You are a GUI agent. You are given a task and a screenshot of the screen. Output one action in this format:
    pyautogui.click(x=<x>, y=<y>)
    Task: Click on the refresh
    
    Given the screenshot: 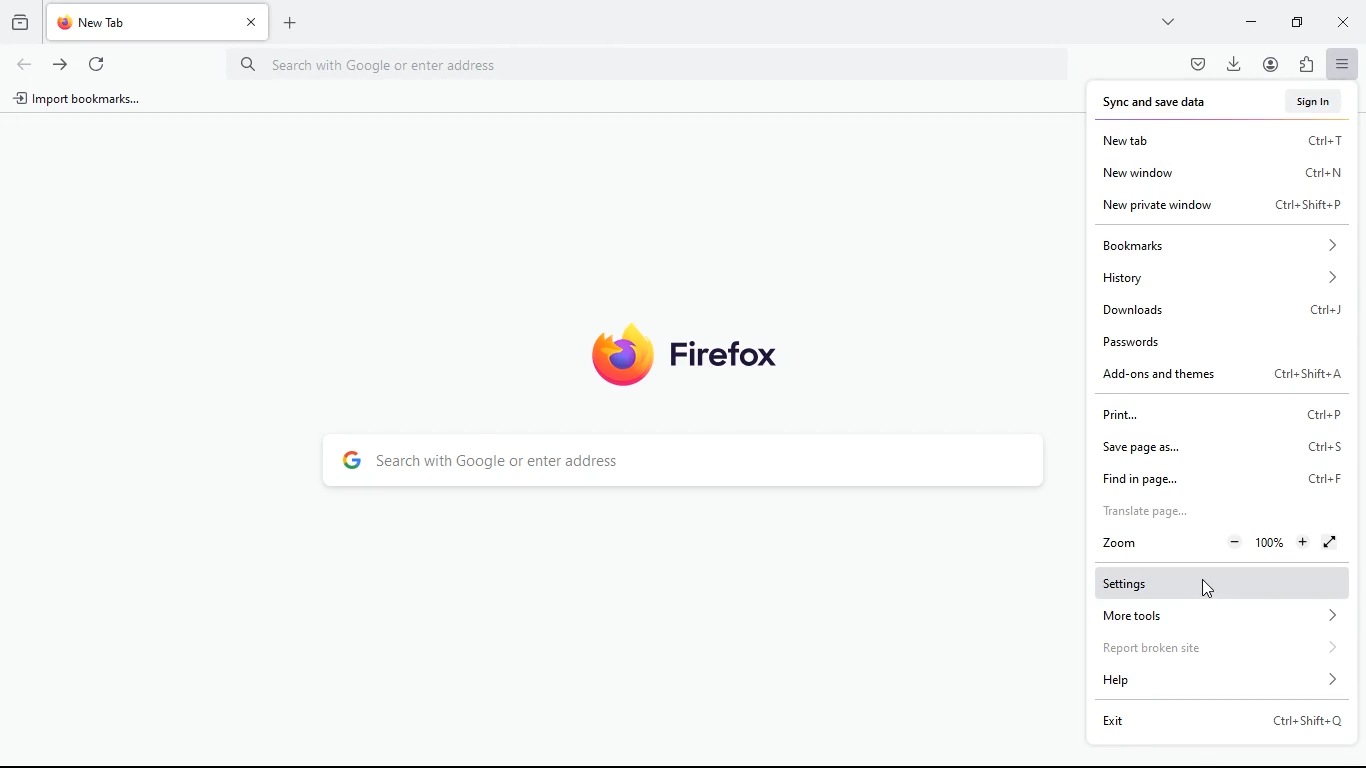 What is the action you would take?
    pyautogui.click(x=99, y=66)
    